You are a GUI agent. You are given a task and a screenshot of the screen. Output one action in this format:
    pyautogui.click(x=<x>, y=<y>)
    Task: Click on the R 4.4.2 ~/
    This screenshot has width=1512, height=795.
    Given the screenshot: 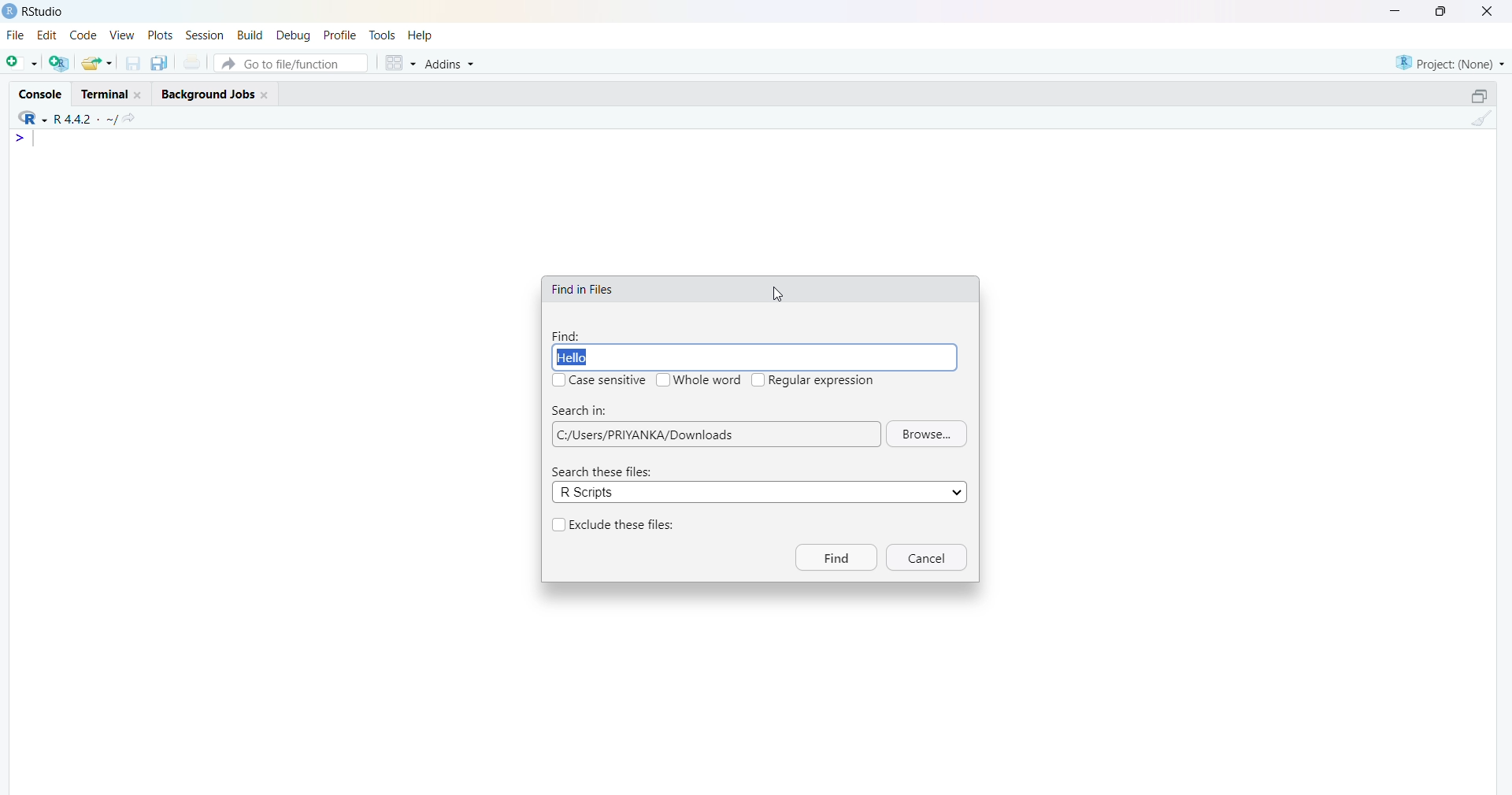 What is the action you would take?
    pyautogui.click(x=87, y=119)
    